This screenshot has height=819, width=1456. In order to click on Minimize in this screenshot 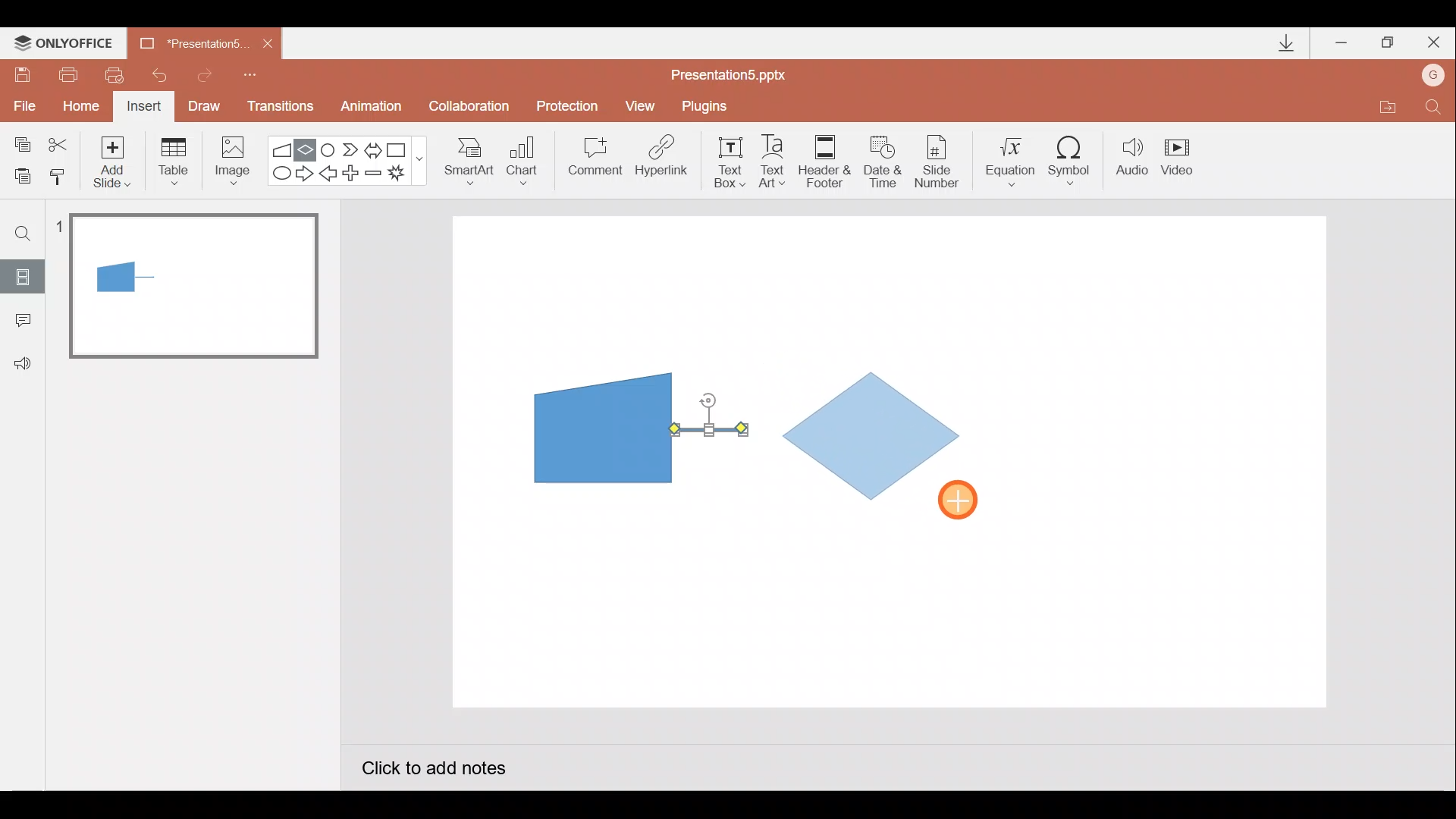, I will do `click(1343, 44)`.